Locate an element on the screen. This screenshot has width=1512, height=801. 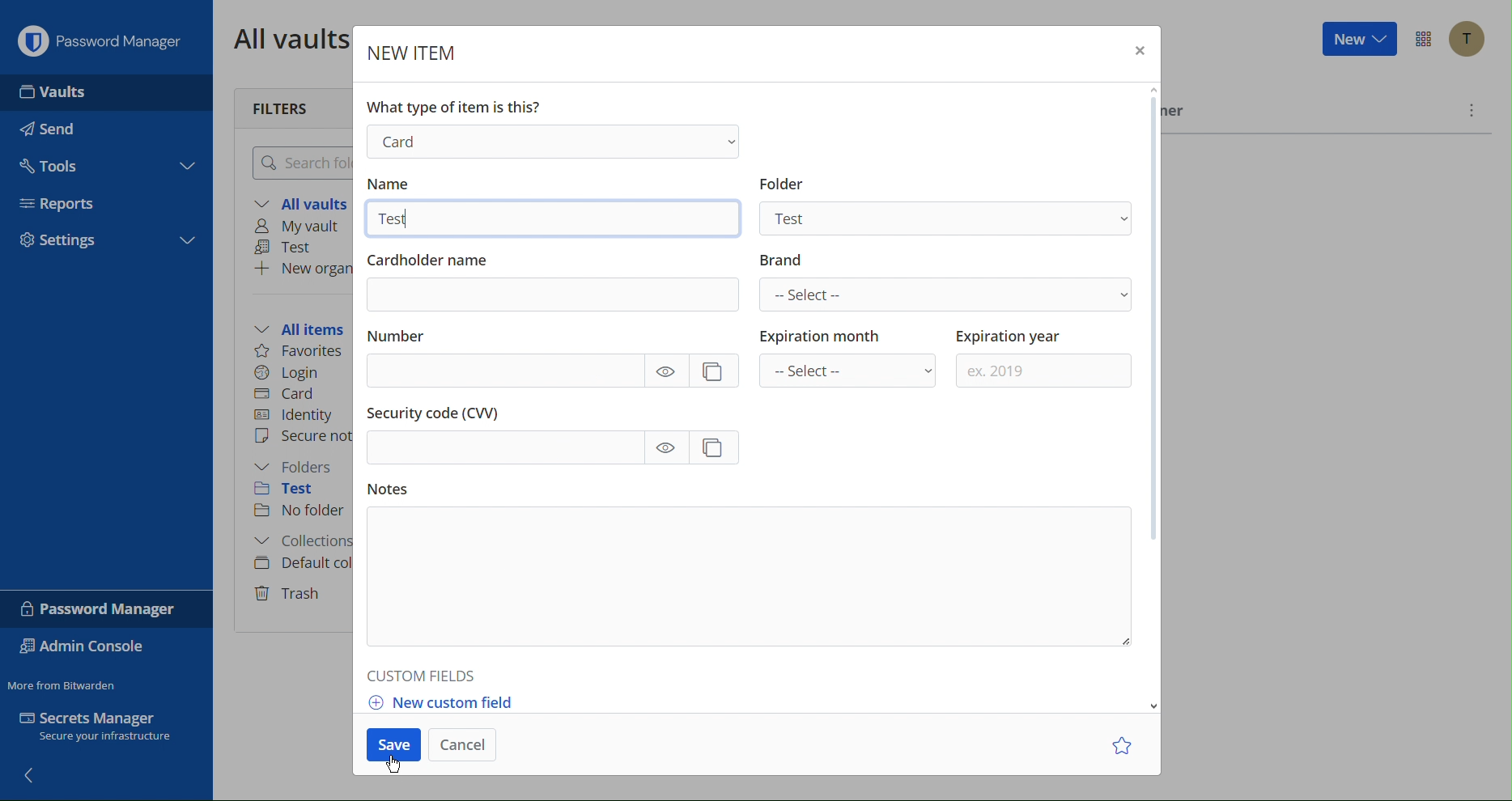
Login is located at coordinates (290, 375).